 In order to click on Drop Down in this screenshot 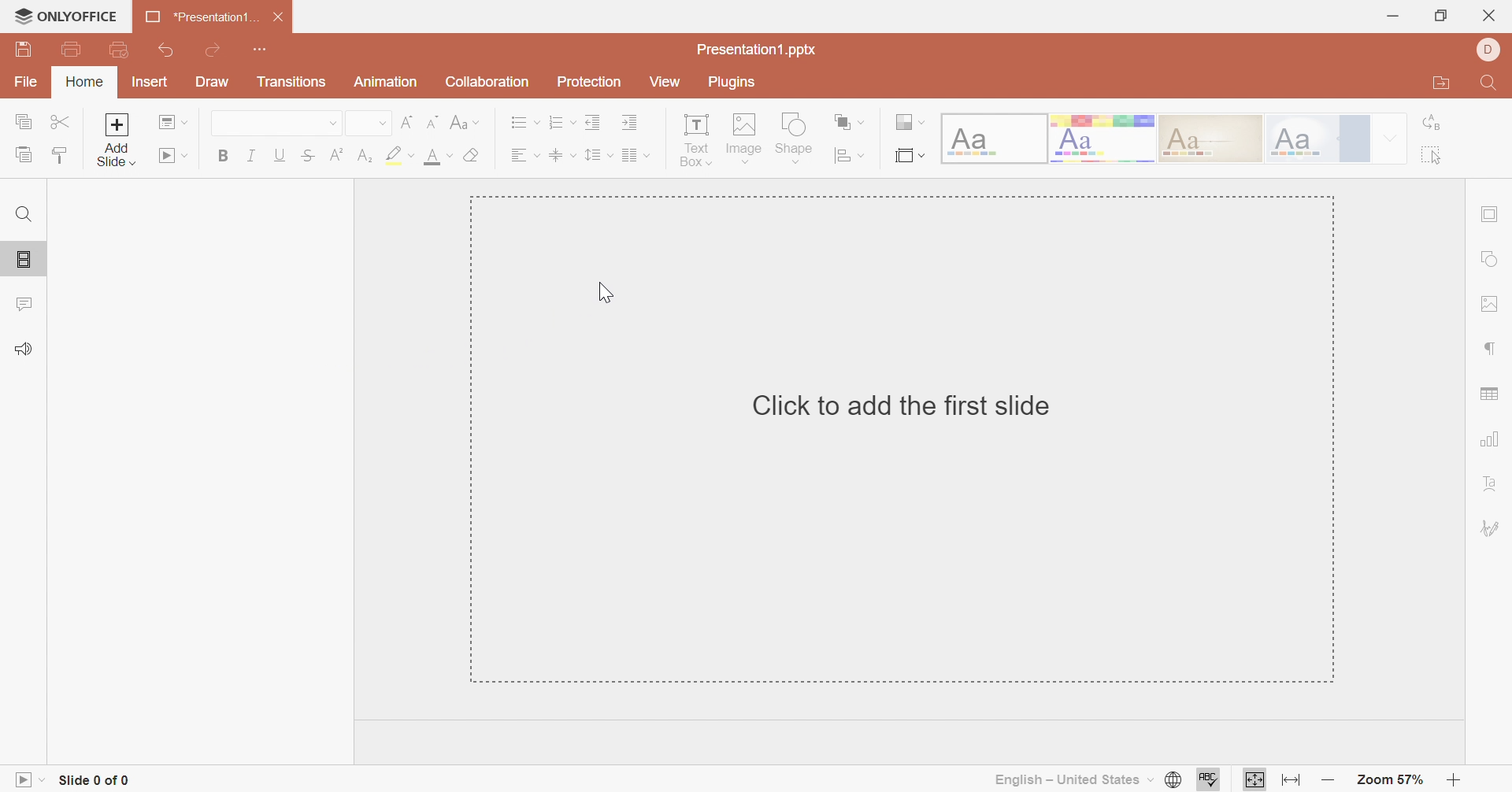, I will do `click(539, 155)`.